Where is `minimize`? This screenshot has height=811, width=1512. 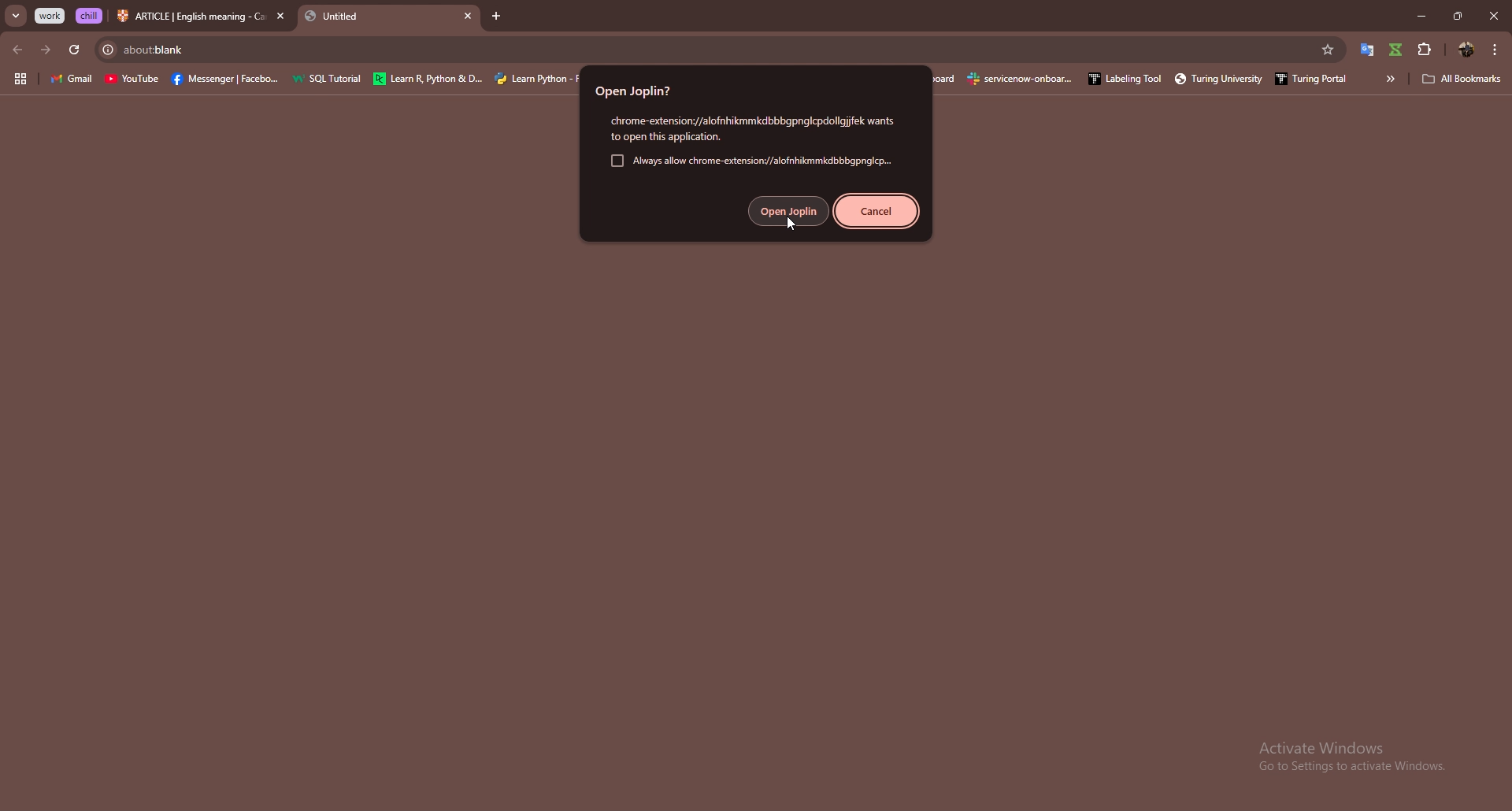 minimize is located at coordinates (1421, 15).